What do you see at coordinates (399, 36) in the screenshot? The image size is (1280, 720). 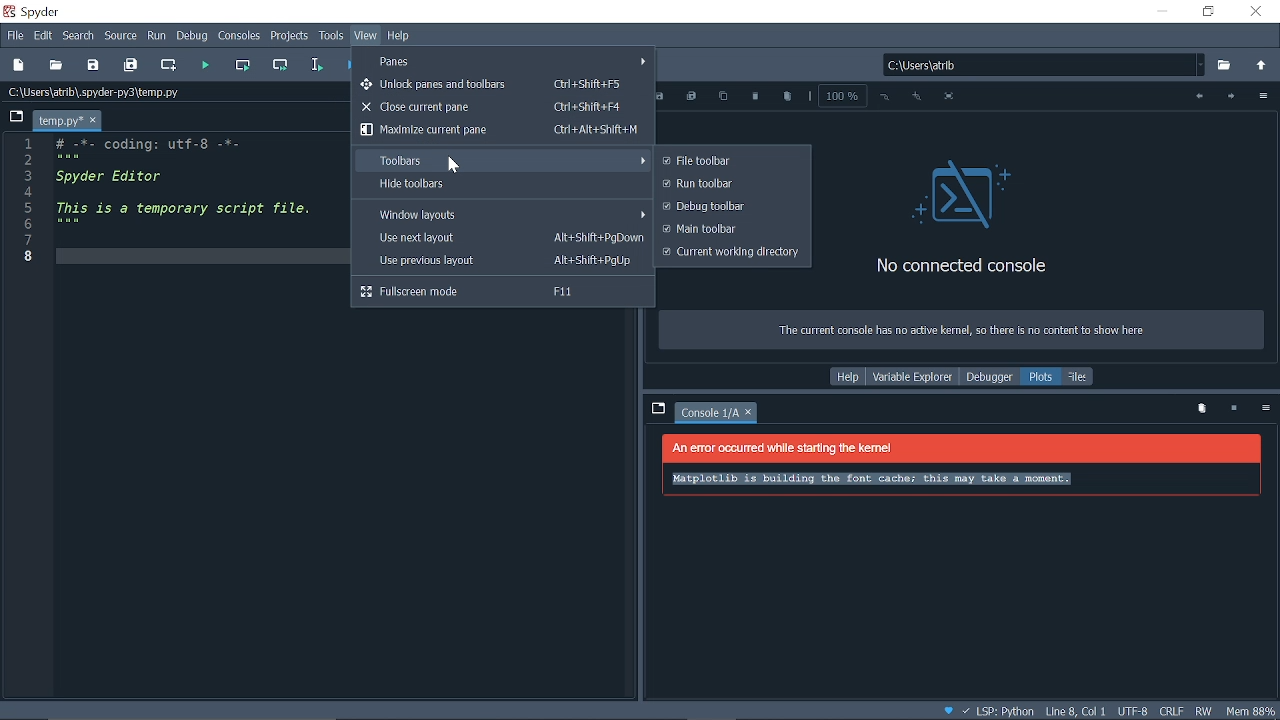 I see `Help` at bounding box center [399, 36].